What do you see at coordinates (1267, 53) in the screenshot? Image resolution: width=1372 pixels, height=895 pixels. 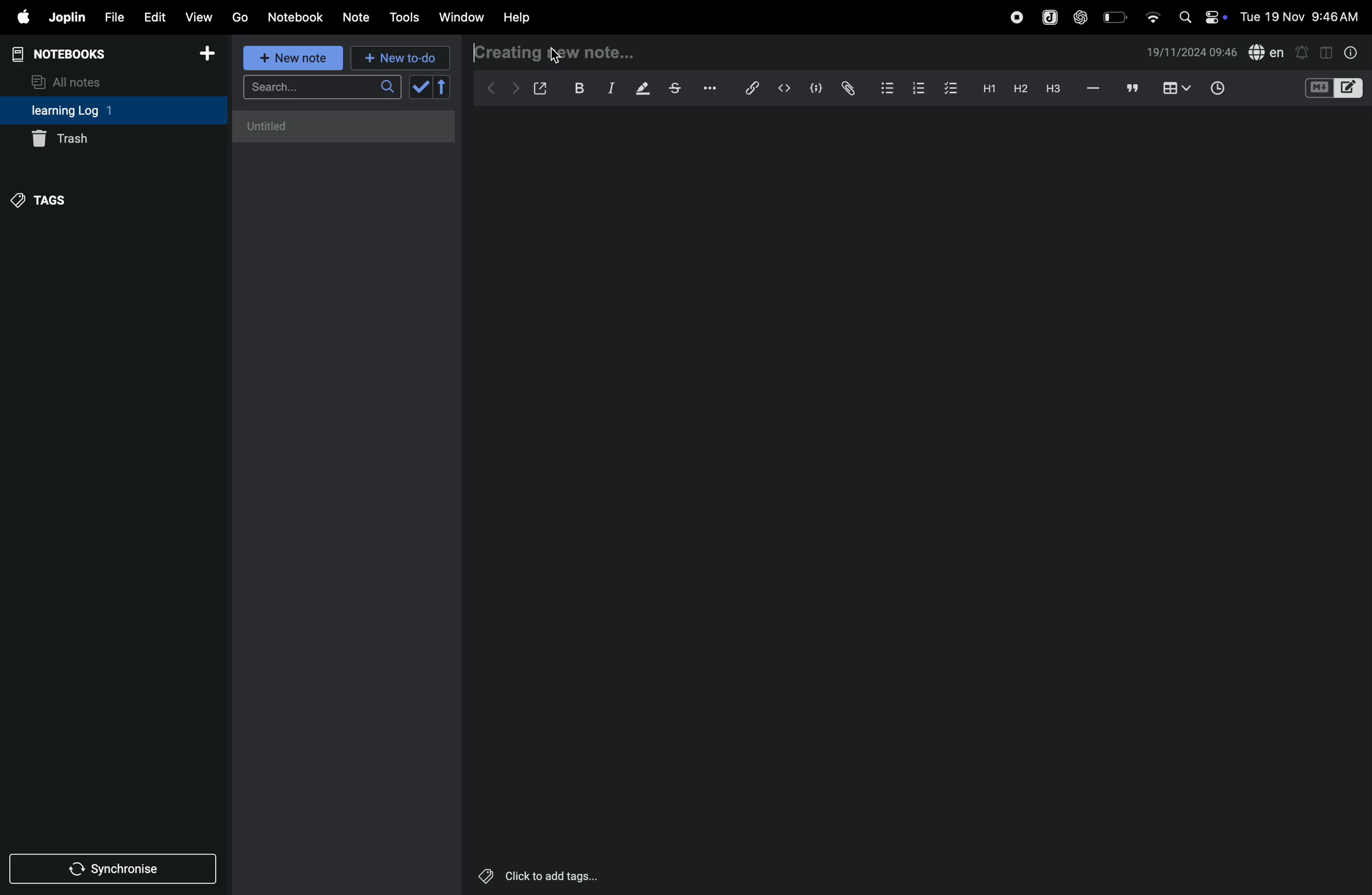 I see `spell check` at bounding box center [1267, 53].